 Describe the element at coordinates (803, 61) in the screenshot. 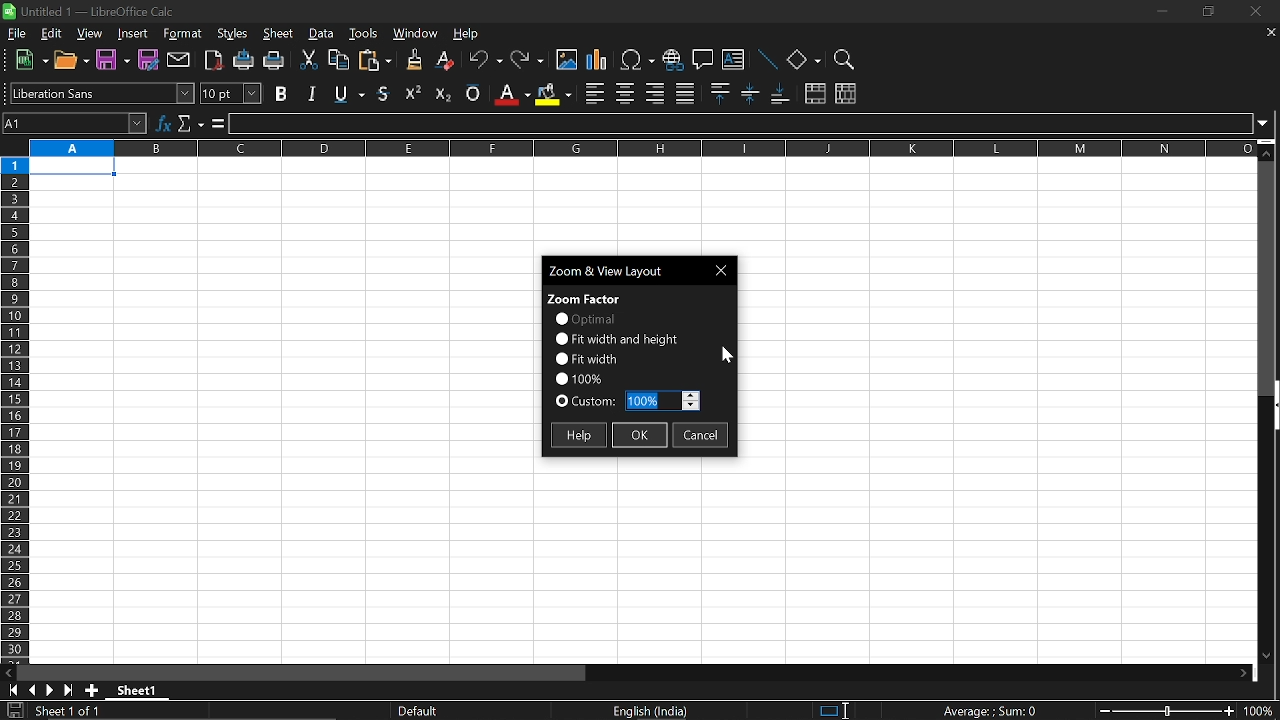

I see `shapes` at that location.